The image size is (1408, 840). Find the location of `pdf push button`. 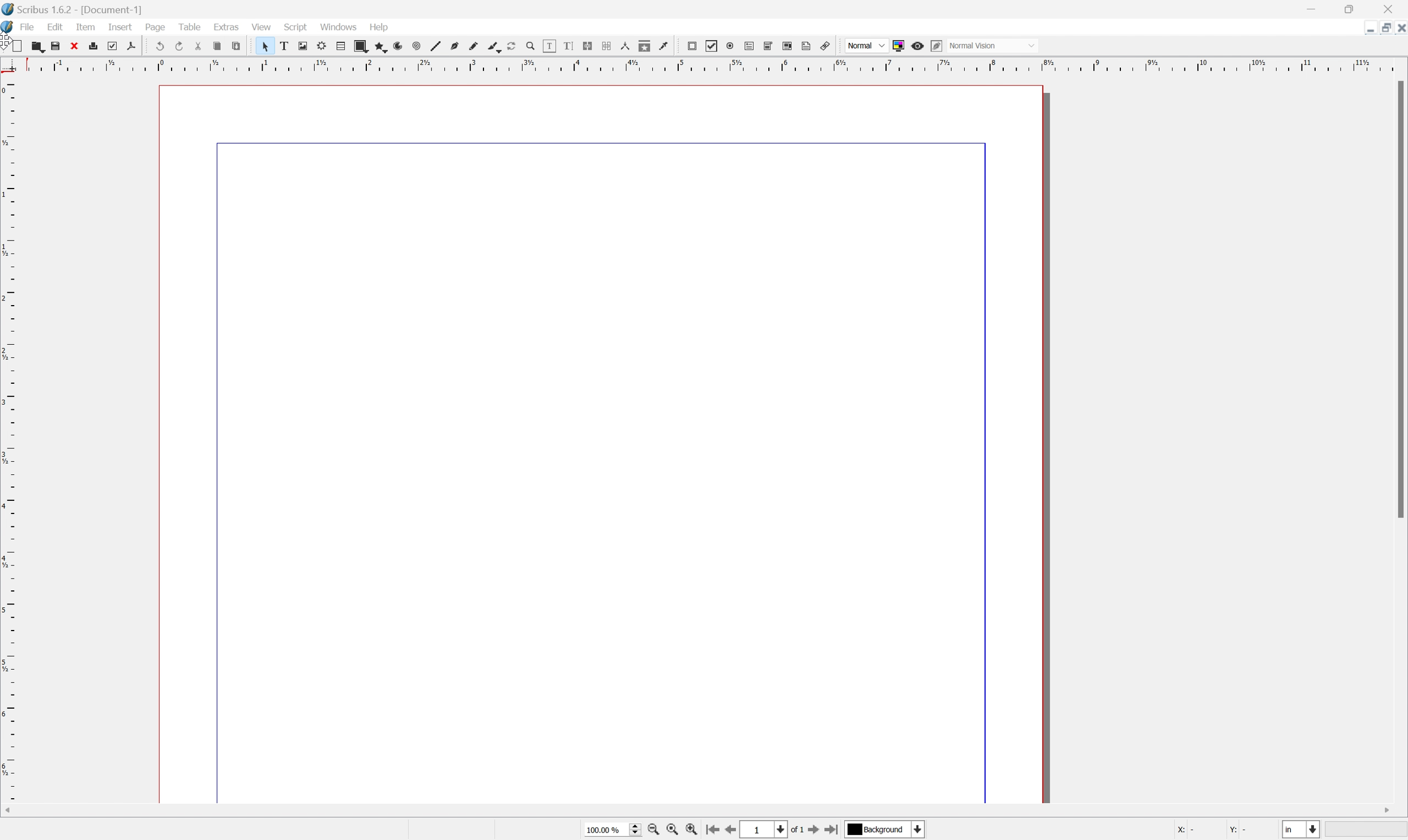

pdf push button is located at coordinates (693, 46).